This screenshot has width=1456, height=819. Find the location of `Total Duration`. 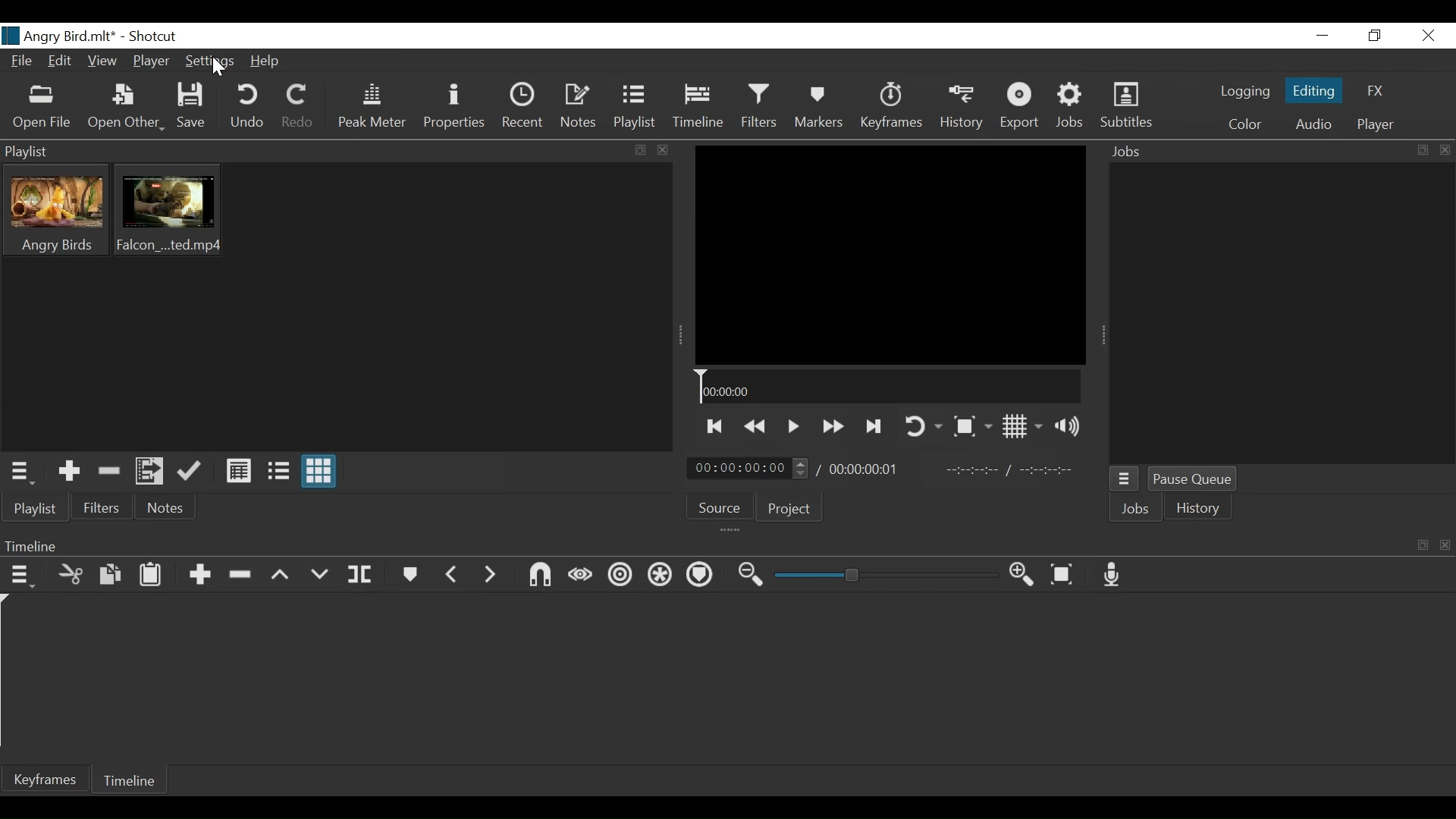

Total Duration is located at coordinates (865, 469).